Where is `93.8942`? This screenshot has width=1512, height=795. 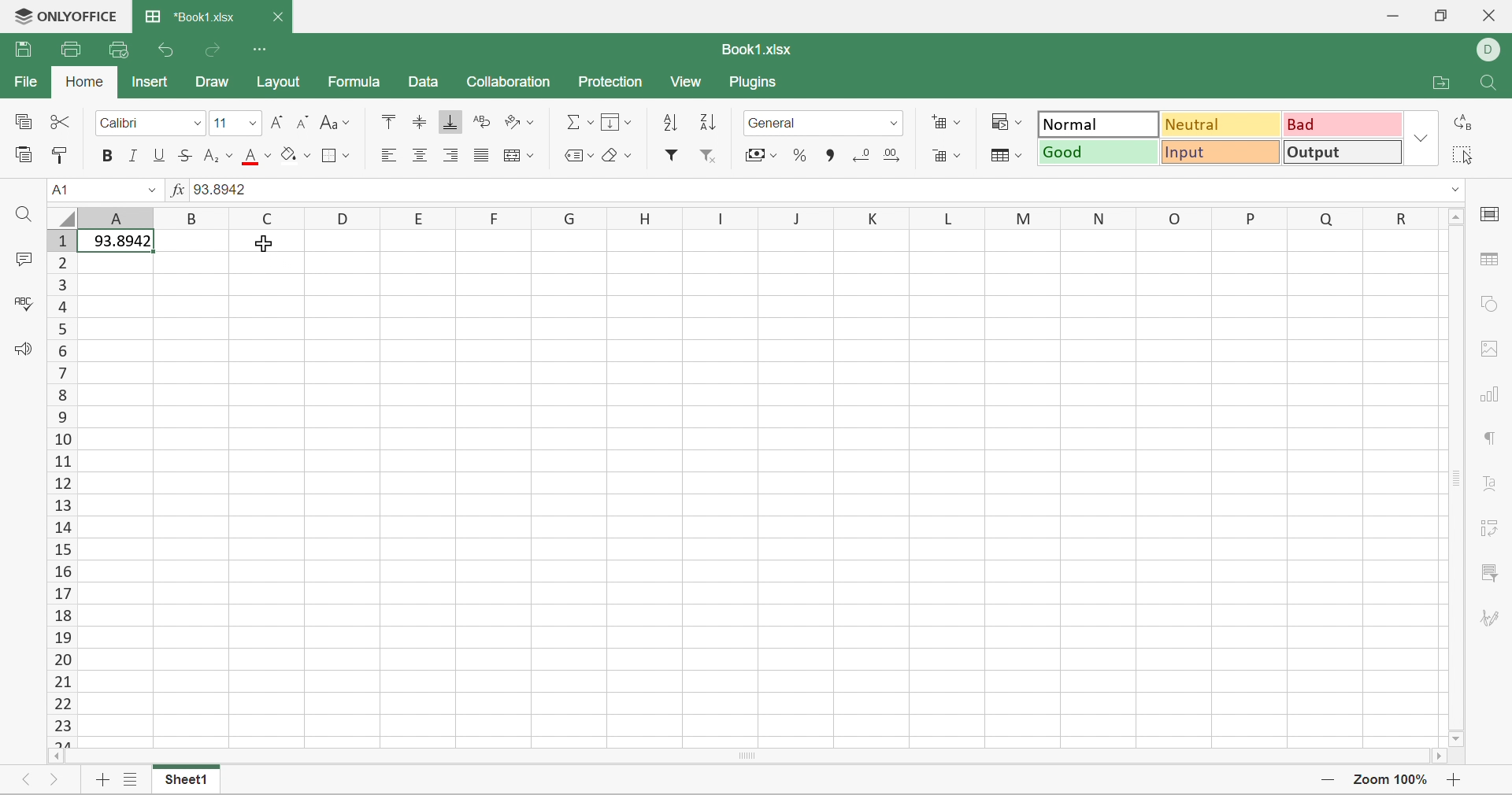
93.8942 is located at coordinates (119, 242).